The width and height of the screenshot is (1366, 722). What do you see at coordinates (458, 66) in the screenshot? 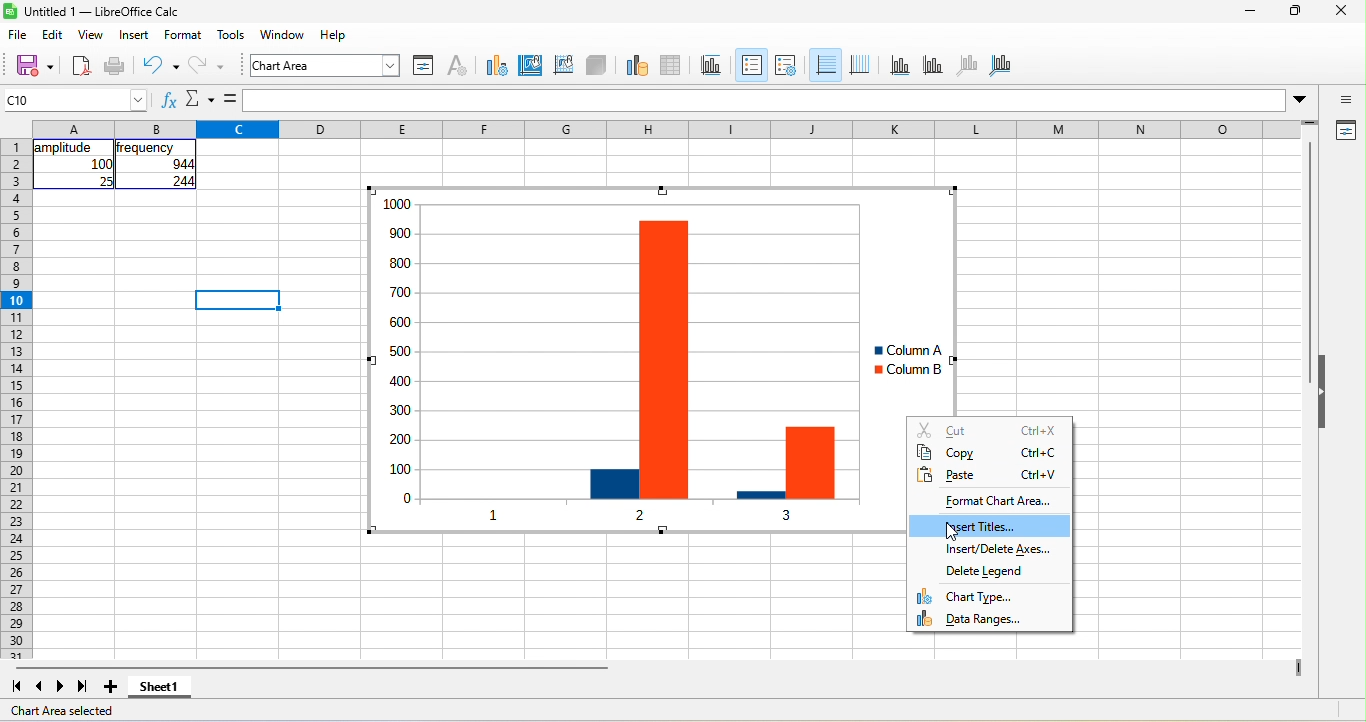
I see `character` at bounding box center [458, 66].